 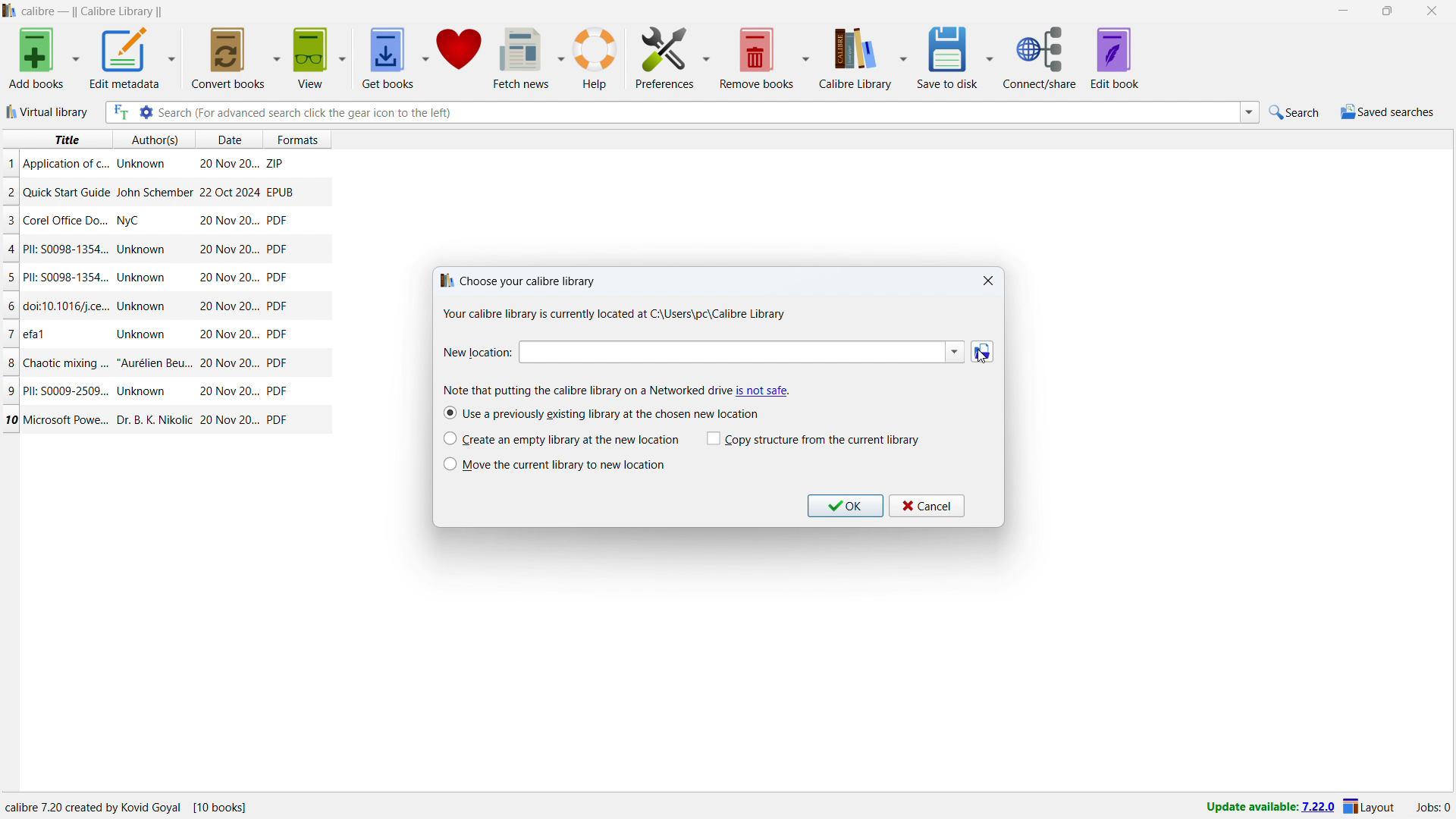 I want to click on 2, so click(x=11, y=194).